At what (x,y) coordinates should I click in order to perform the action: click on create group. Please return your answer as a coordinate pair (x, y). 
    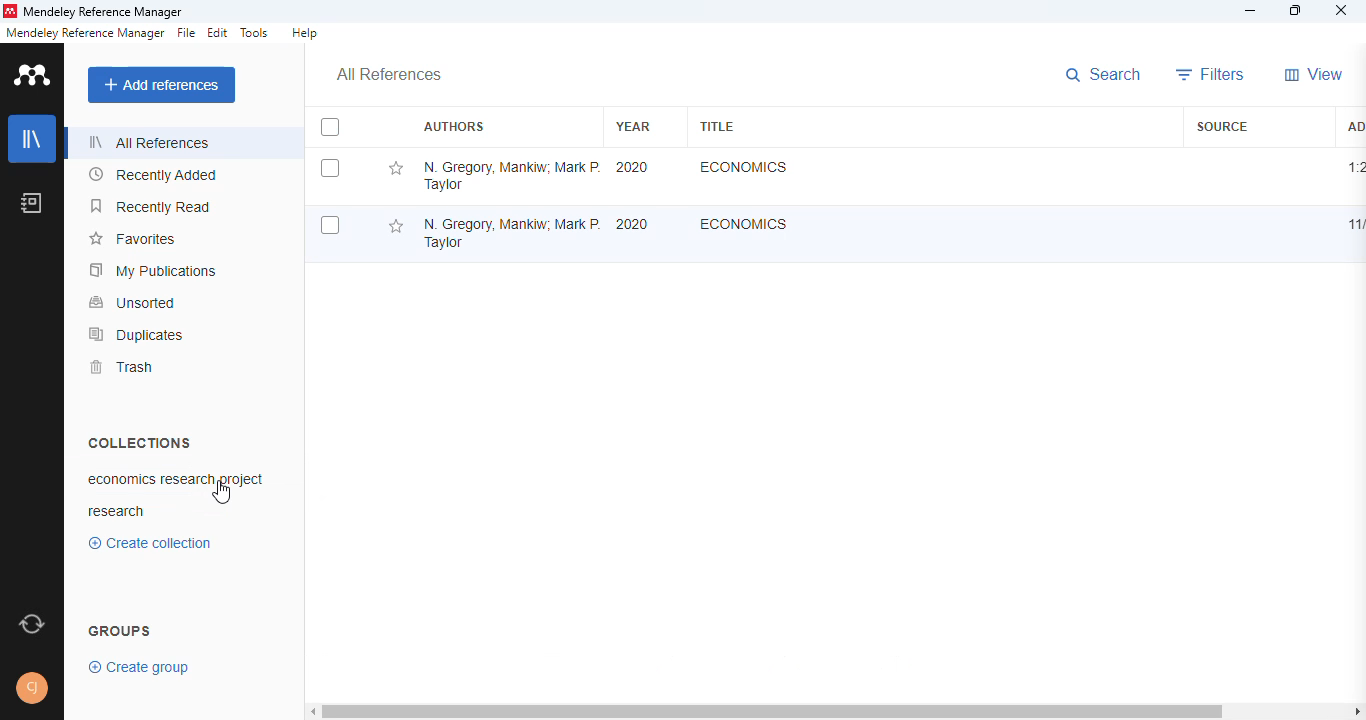
    Looking at the image, I should click on (141, 666).